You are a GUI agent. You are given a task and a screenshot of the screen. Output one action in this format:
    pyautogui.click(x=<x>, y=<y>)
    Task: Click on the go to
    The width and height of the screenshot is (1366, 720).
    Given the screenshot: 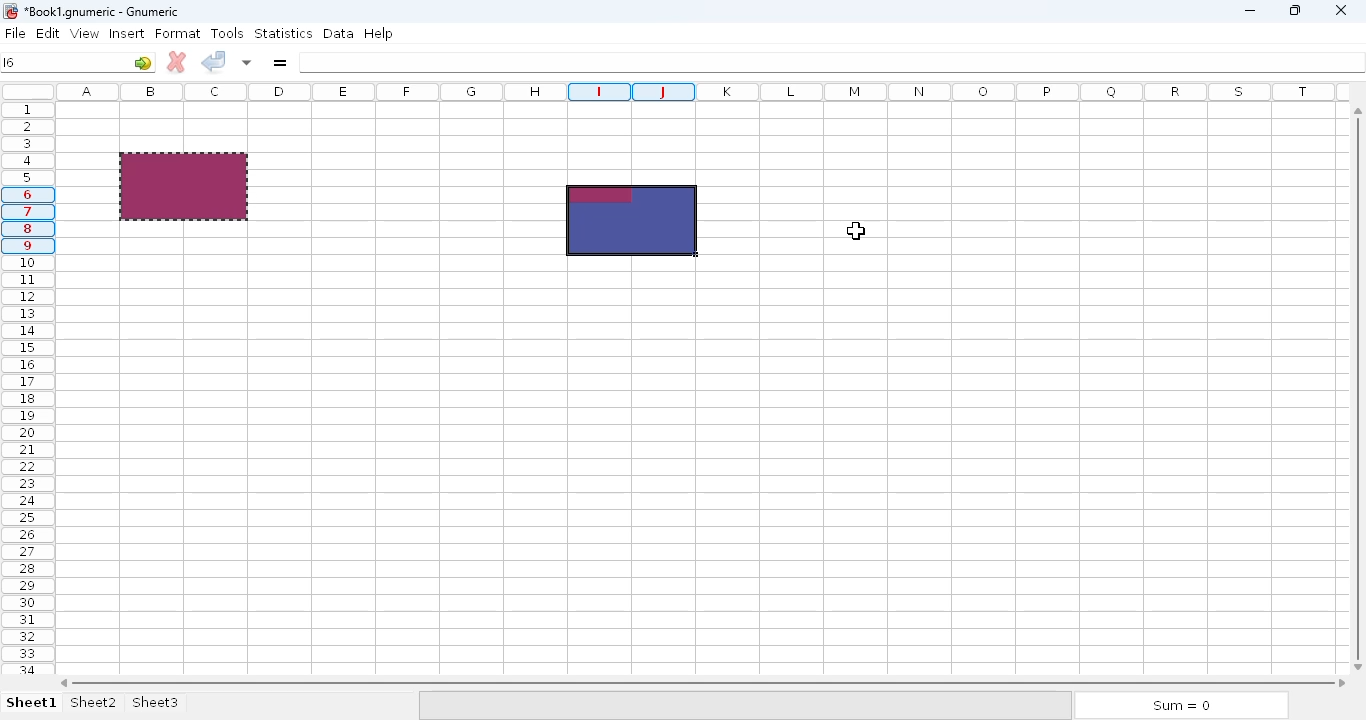 What is the action you would take?
    pyautogui.click(x=144, y=63)
    